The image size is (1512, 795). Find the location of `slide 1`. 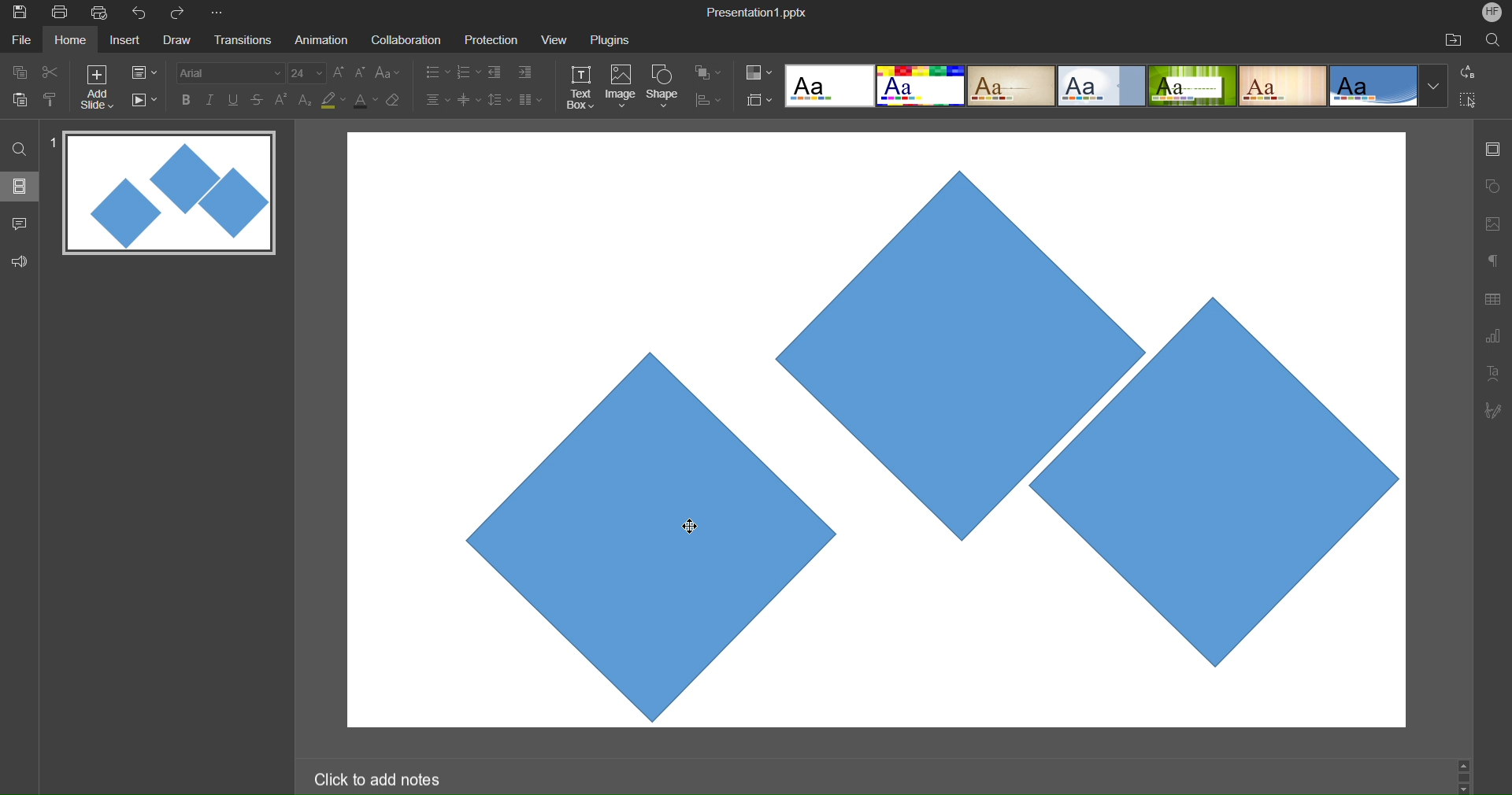

slide 1 is located at coordinates (165, 194).